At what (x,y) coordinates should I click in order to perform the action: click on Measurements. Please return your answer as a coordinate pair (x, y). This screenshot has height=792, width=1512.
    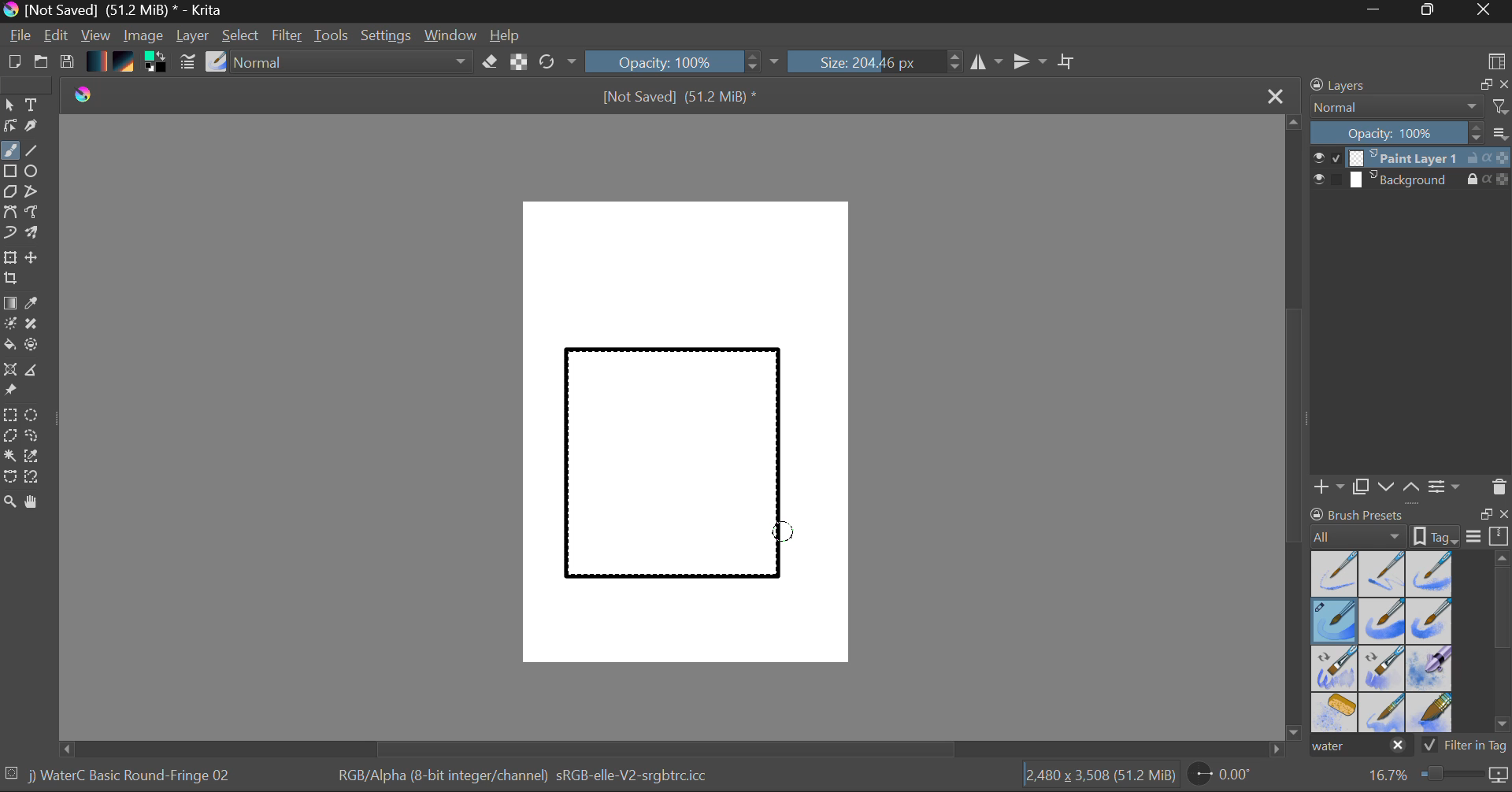
    Looking at the image, I should click on (34, 372).